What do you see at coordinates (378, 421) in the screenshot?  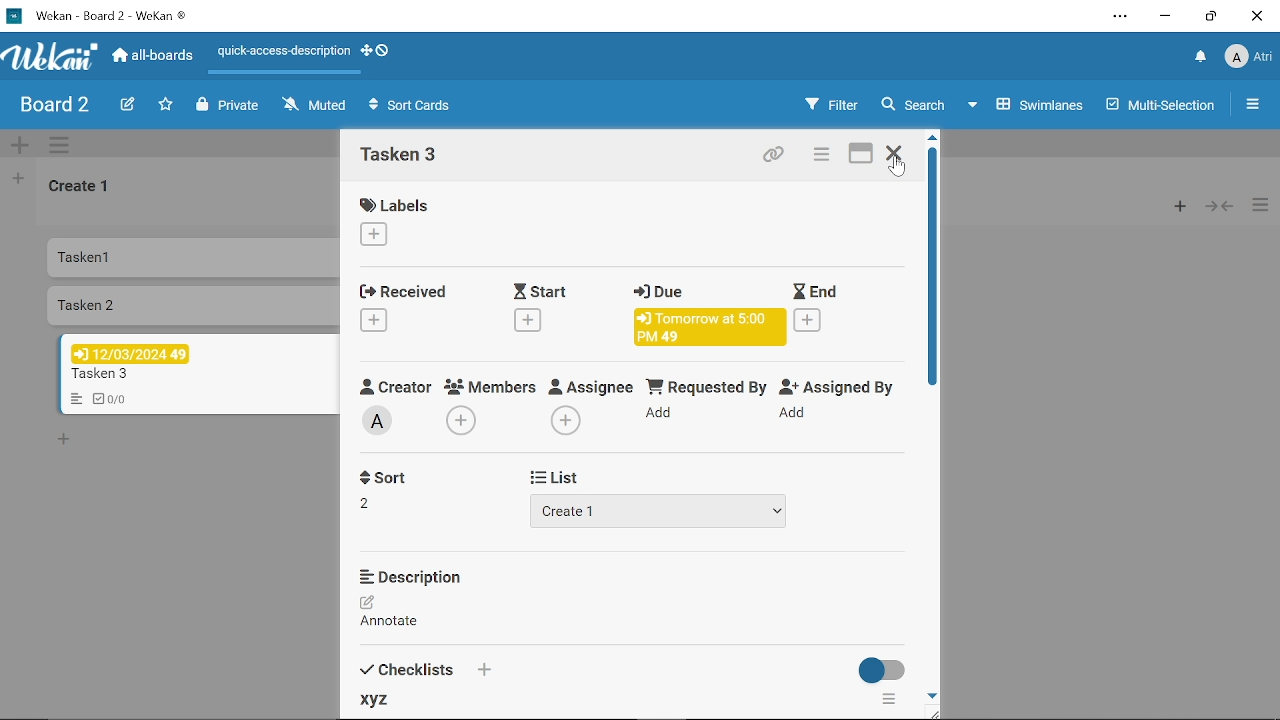 I see `Add` at bounding box center [378, 421].